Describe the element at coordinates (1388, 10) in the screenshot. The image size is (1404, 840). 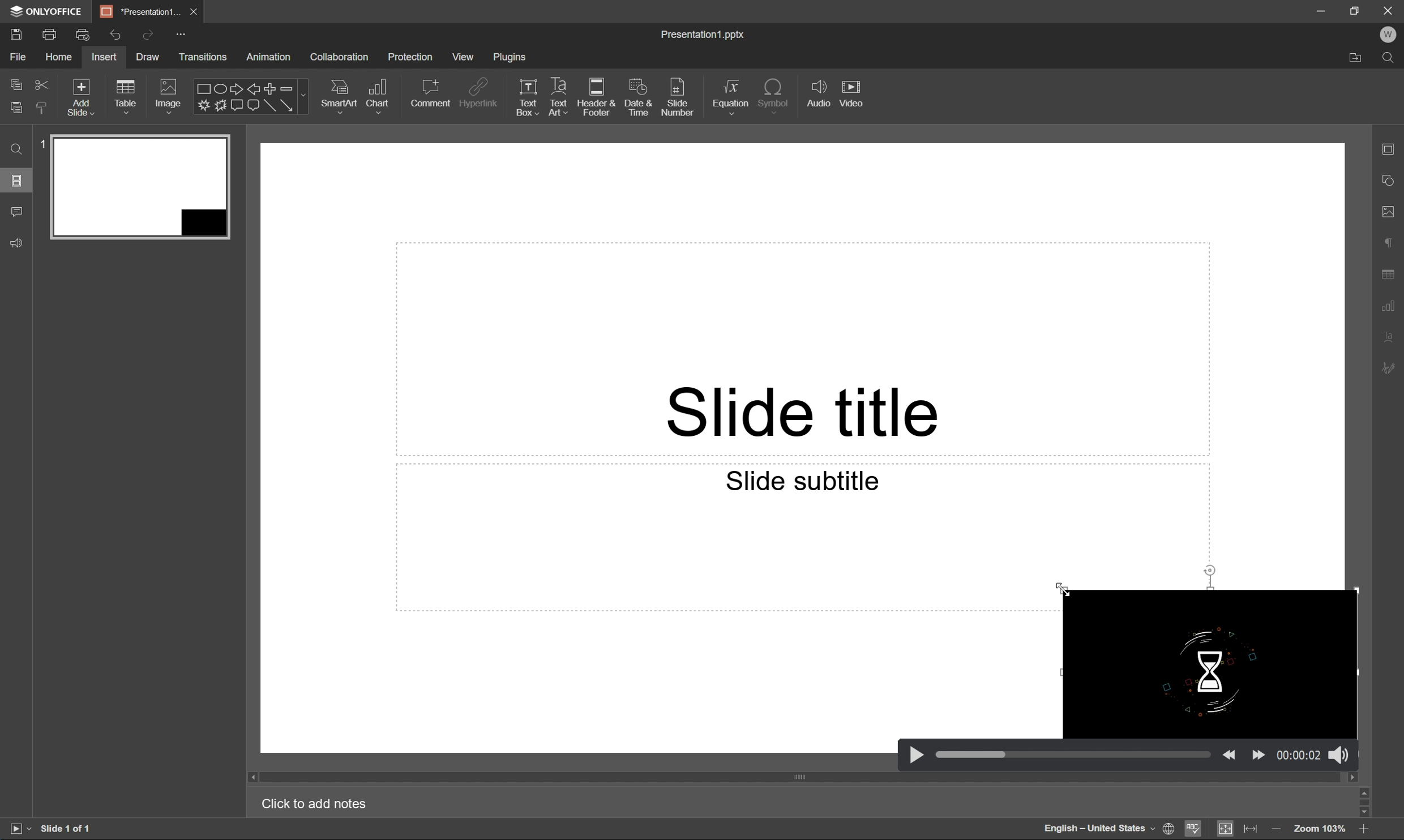
I see `Close` at that location.